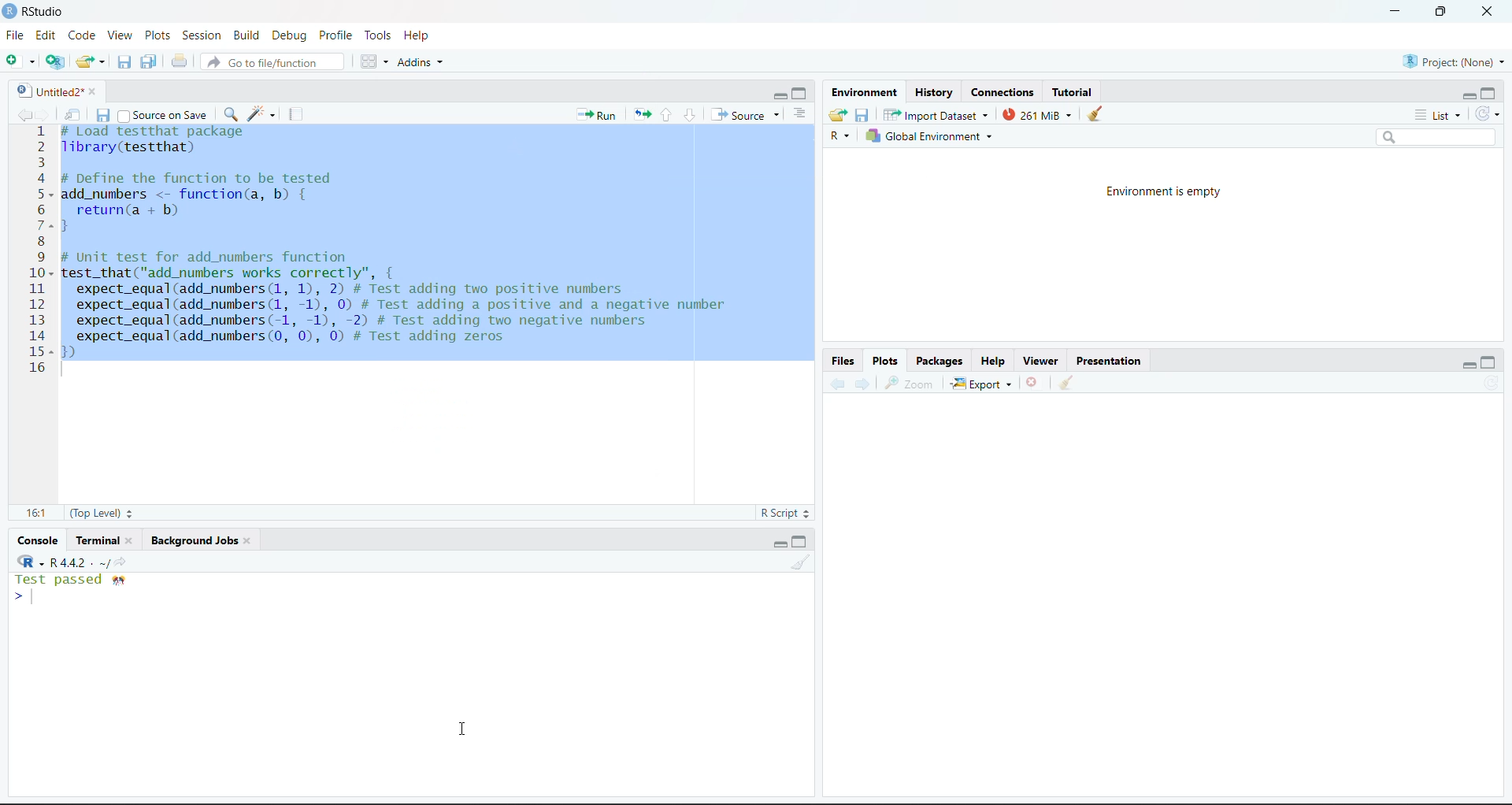 The width and height of the screenshot is (1512, 805). I want to click on Go to previous section, so click(665, 114).